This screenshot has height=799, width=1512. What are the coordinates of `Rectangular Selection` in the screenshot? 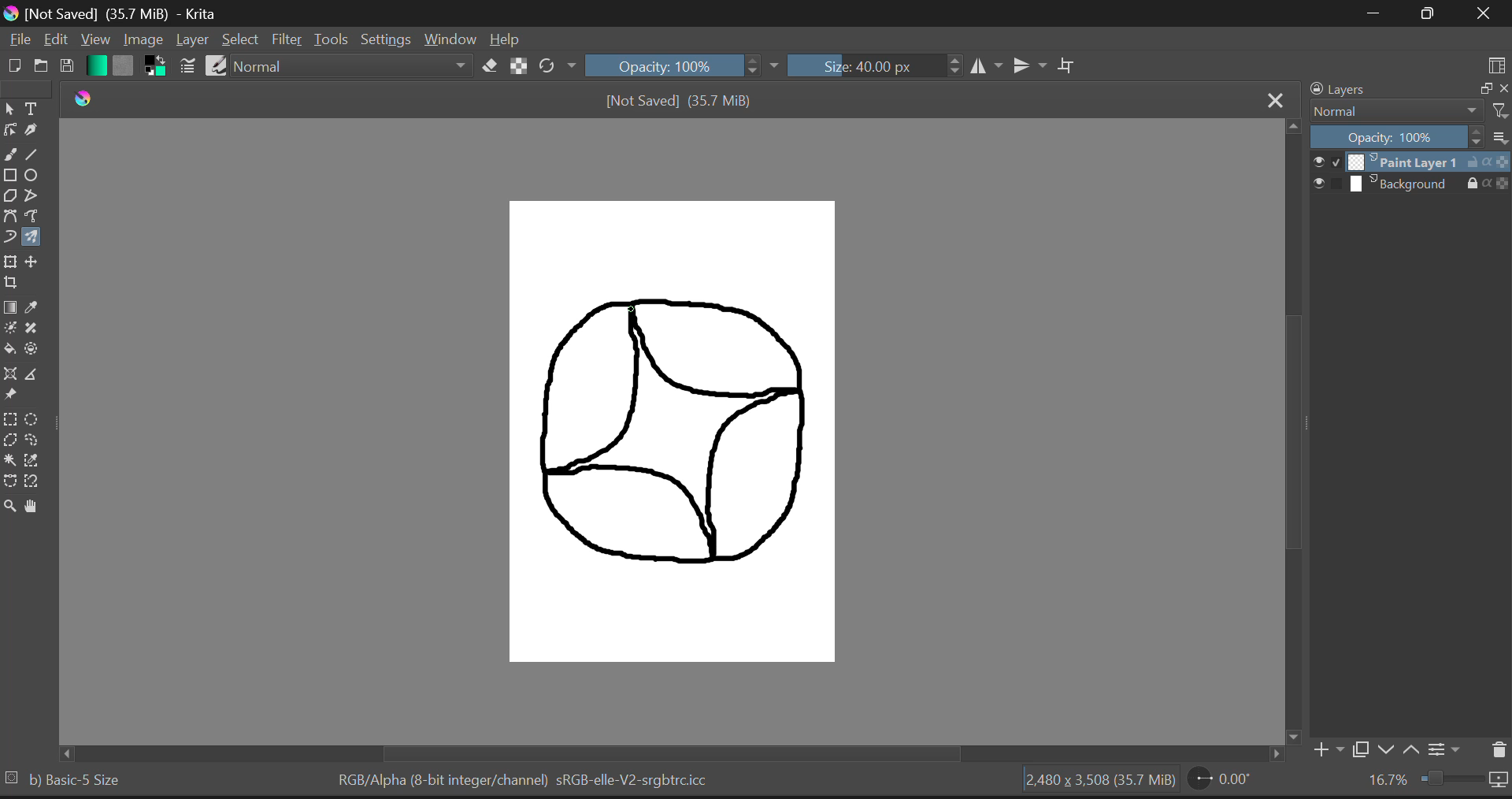 It's located at (13, 420).